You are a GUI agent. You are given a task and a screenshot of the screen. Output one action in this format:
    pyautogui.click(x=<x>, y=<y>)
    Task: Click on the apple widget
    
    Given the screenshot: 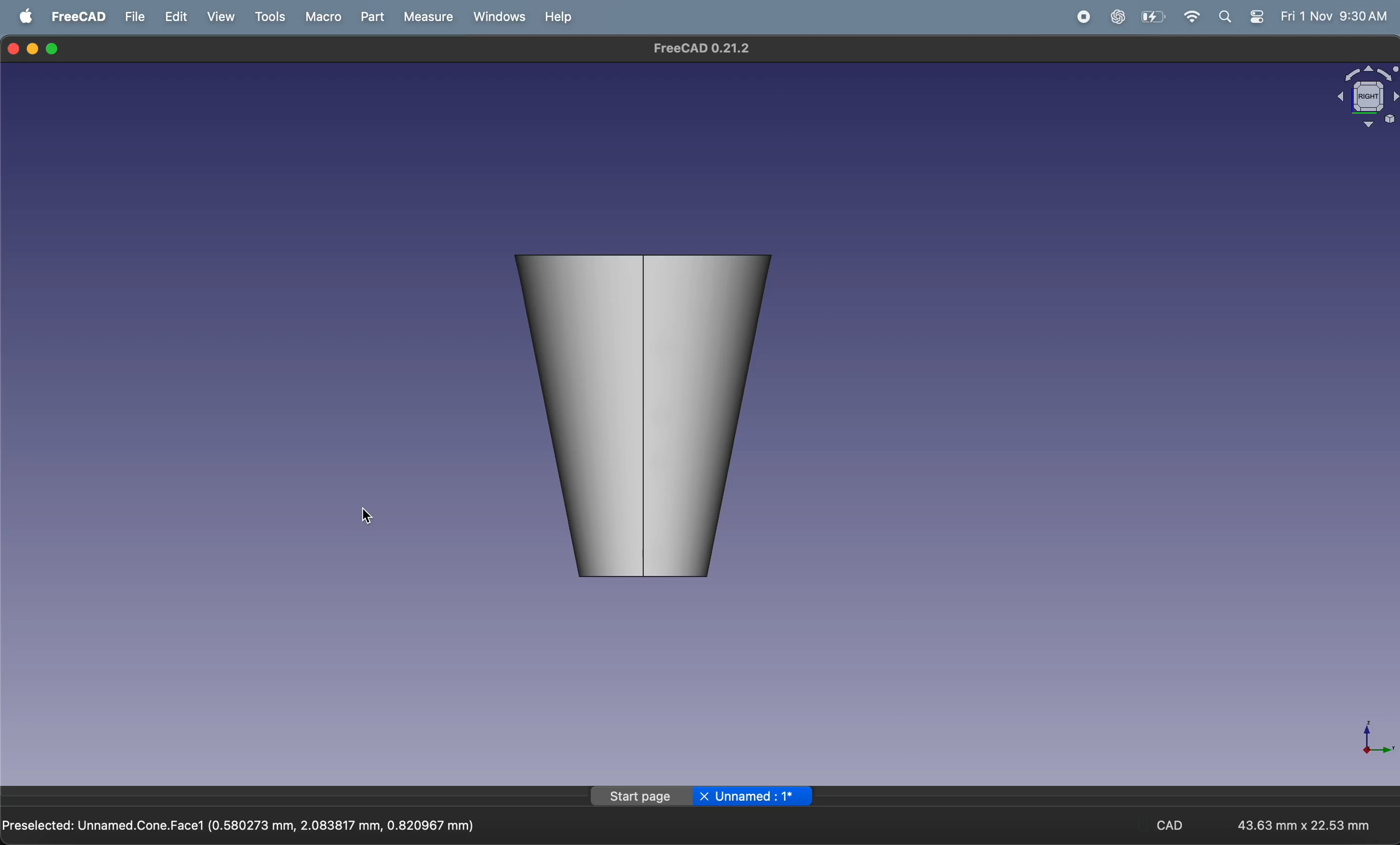 What is the action you would take?
    pyautogui.click(x=1259, y=16)
    